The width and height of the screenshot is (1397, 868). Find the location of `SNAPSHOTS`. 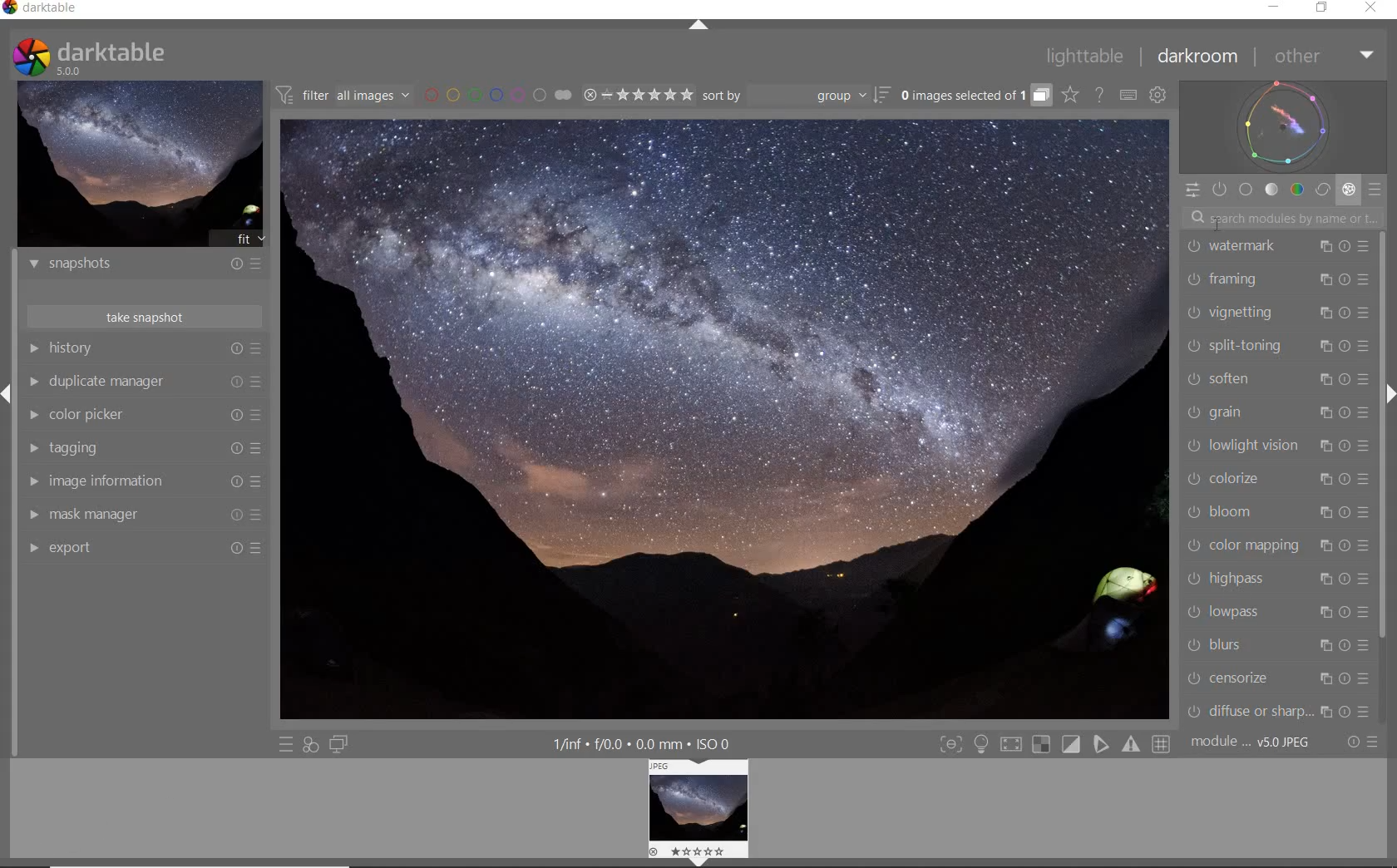

SNAPSHOTS is located at coordinates (67, 264).